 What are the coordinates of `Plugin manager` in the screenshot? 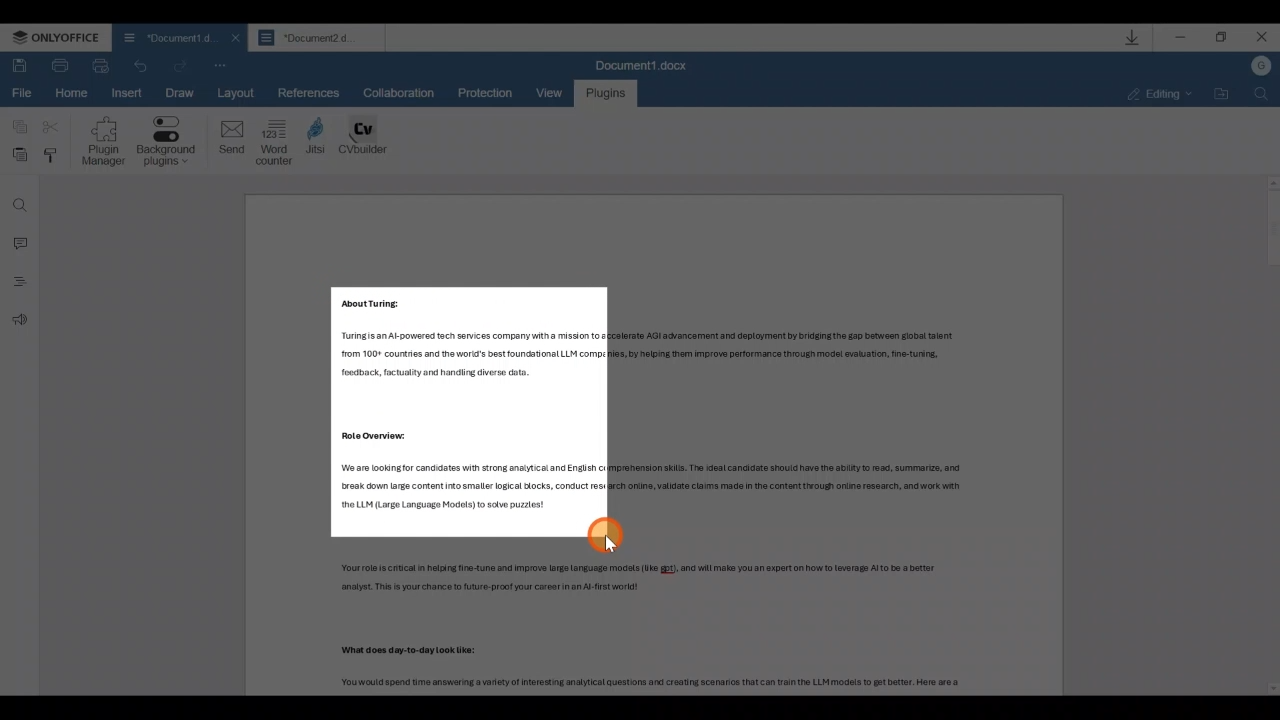 It's located at (102, 143).